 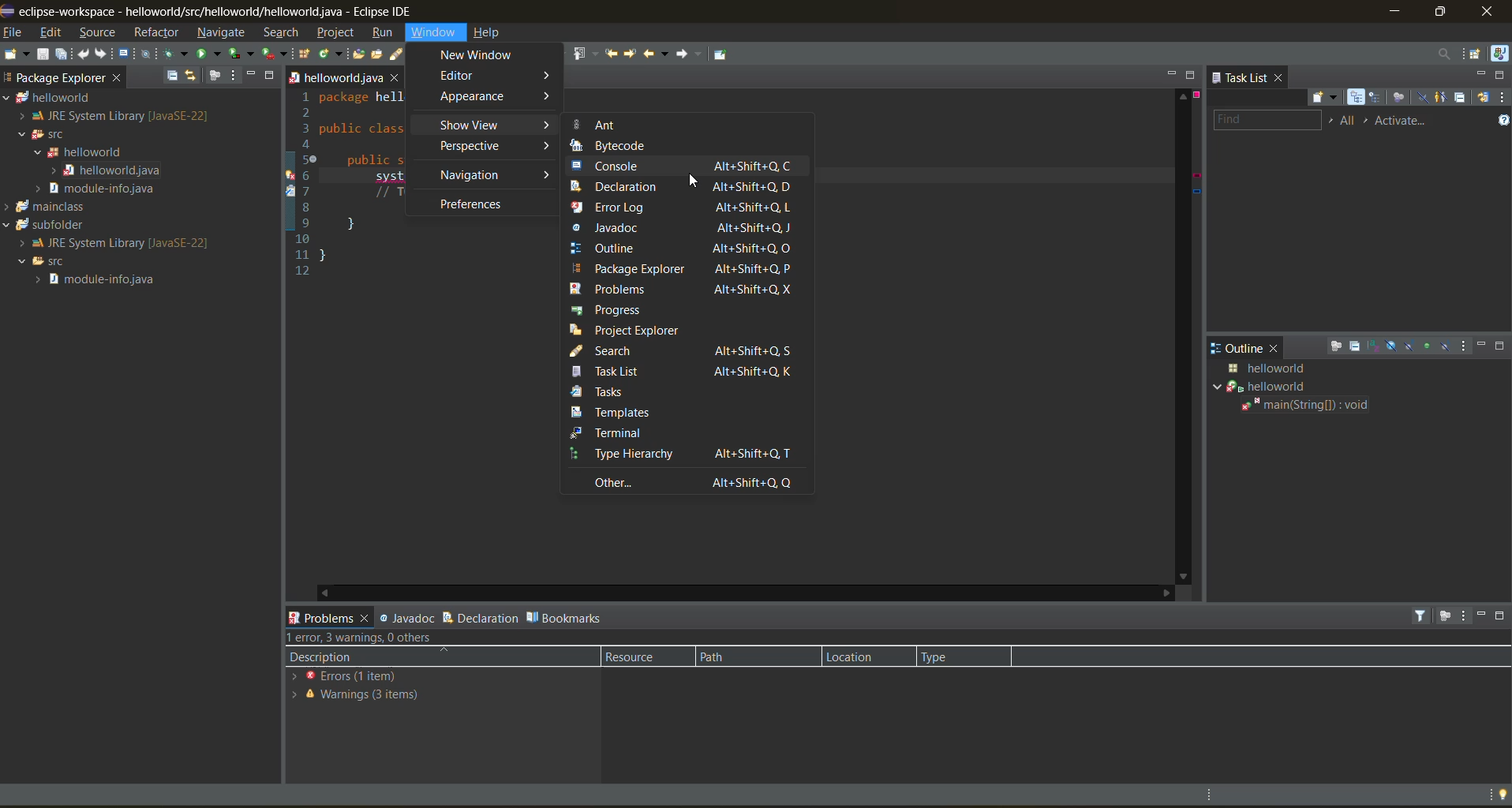 I want to click on java, so click(x=1499, y=55).